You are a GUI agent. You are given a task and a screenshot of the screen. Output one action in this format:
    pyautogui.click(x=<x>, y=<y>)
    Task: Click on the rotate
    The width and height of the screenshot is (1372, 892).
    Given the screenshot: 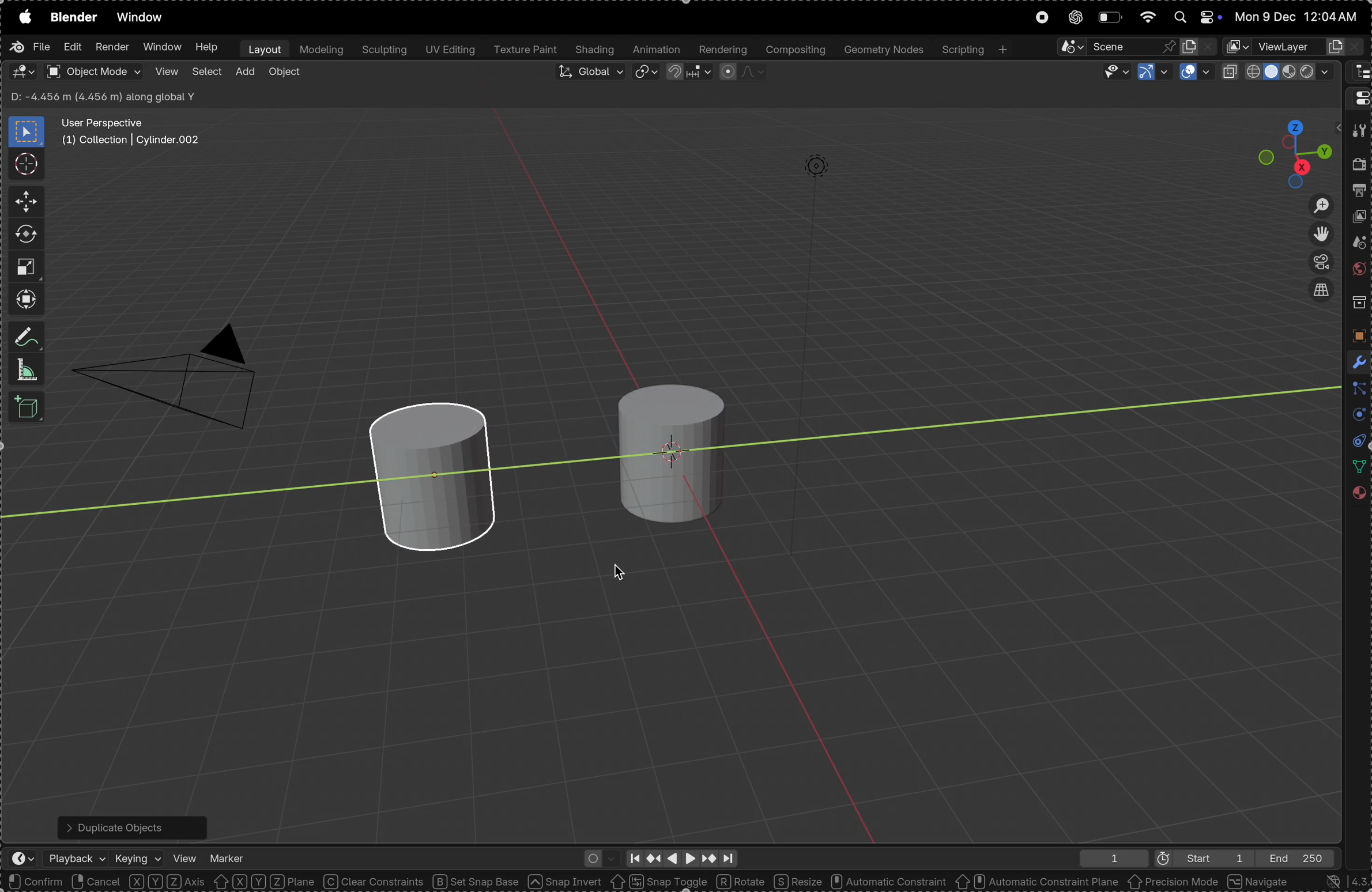 What is the action you would take?
    pyautogui.click(x=742, y=880)
    